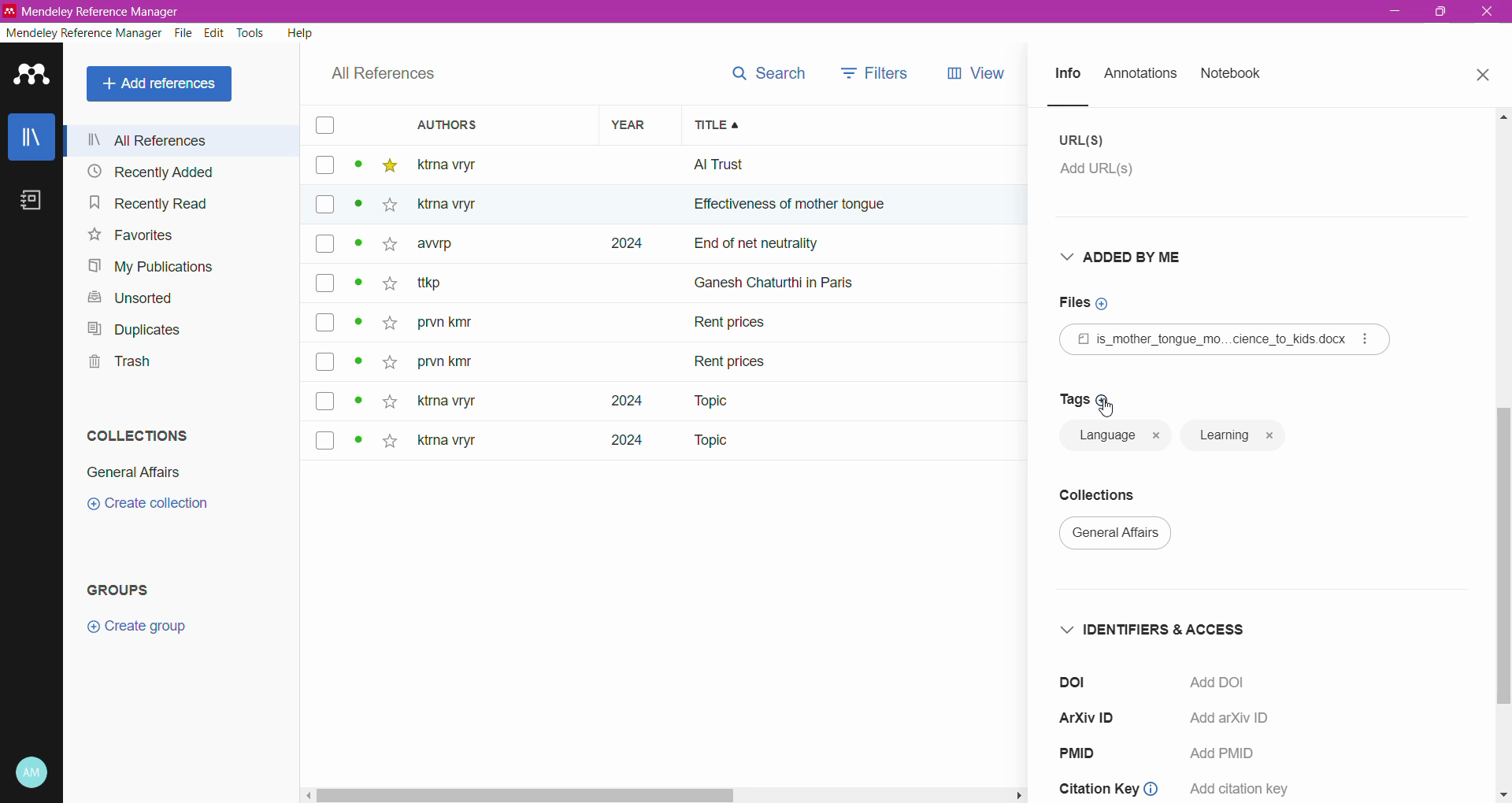 This screenshot has height=803, width=1512. Describe the element at coordinates (732, 325) in the screenshot. I see `Rent prices` at that location.